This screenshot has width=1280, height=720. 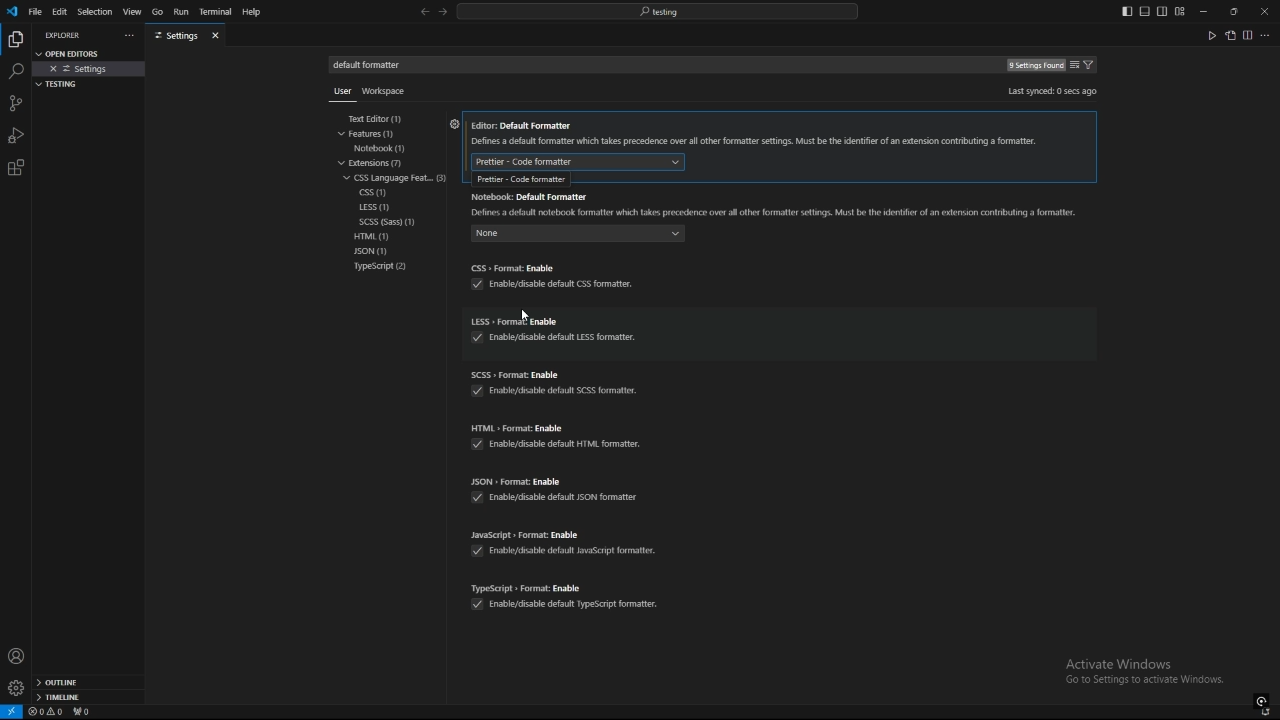 I want to click on notifications, so click(x=1267, y=713).